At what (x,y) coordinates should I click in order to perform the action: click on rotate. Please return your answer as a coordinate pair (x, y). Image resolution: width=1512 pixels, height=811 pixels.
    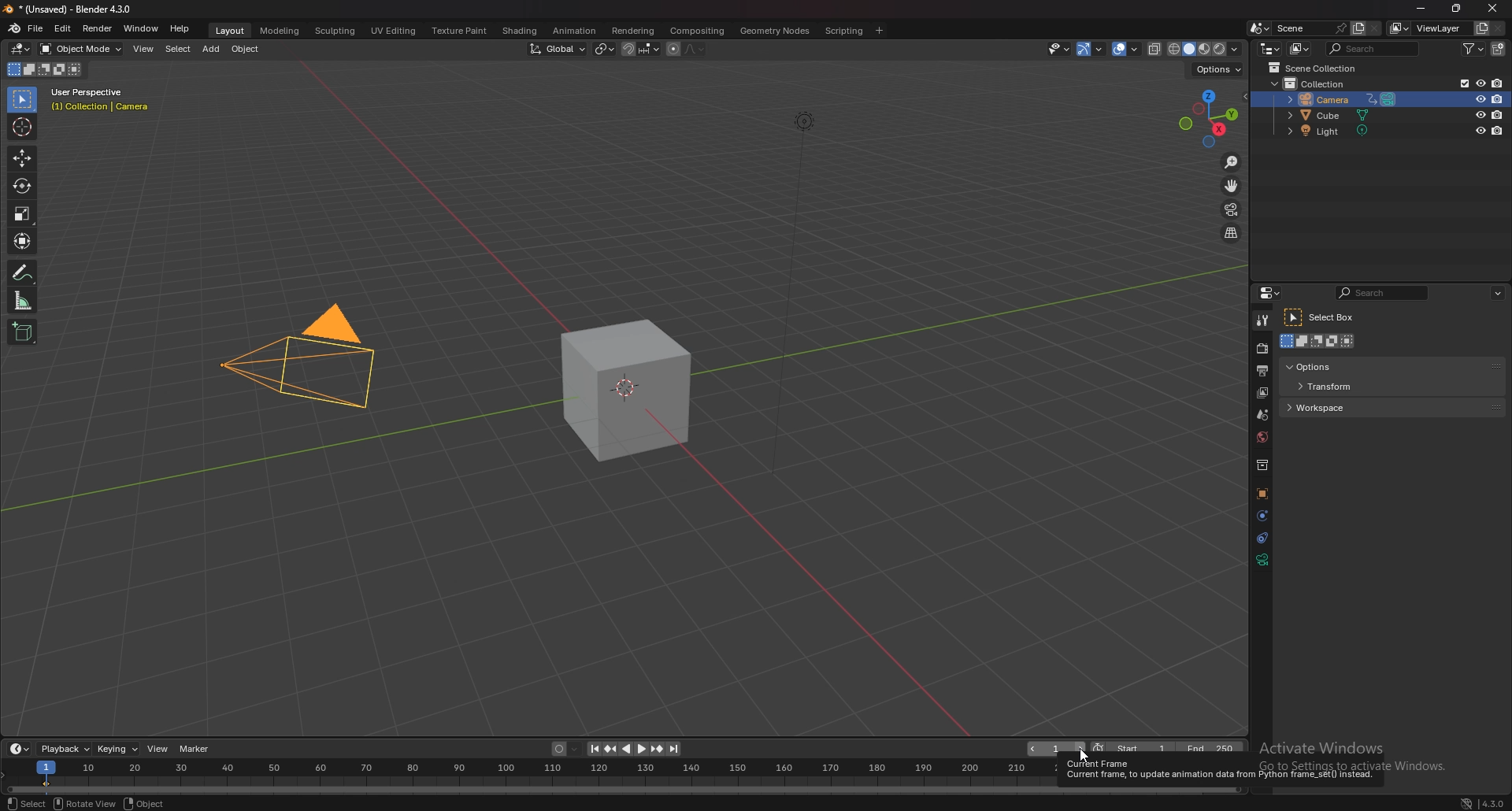
    Looking at the image, I should click on (21, 187).